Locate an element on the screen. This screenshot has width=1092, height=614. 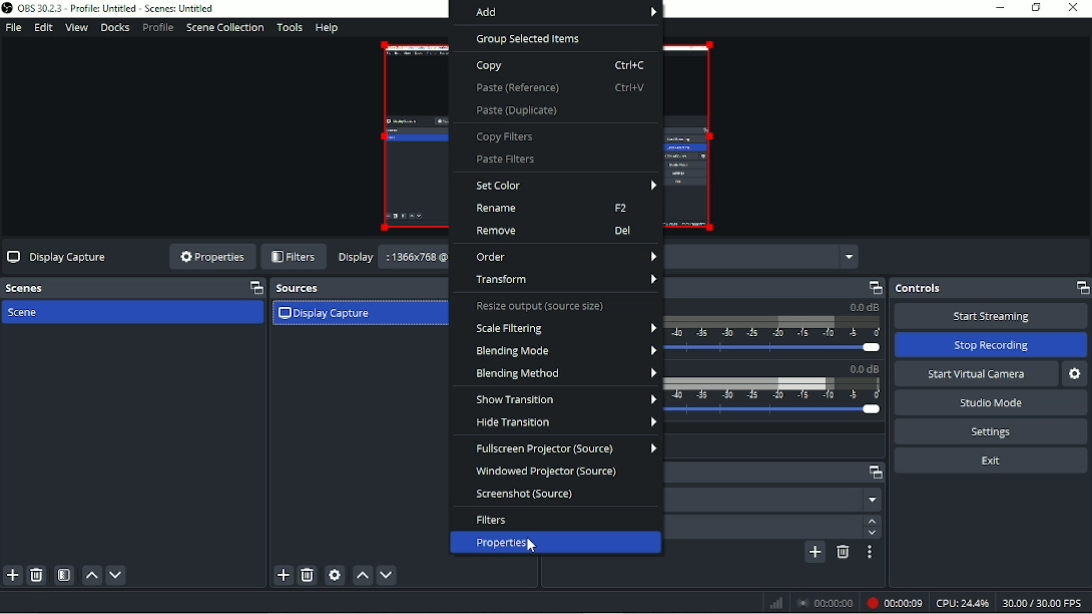
Hide transition is located at coordinates (560, 424).